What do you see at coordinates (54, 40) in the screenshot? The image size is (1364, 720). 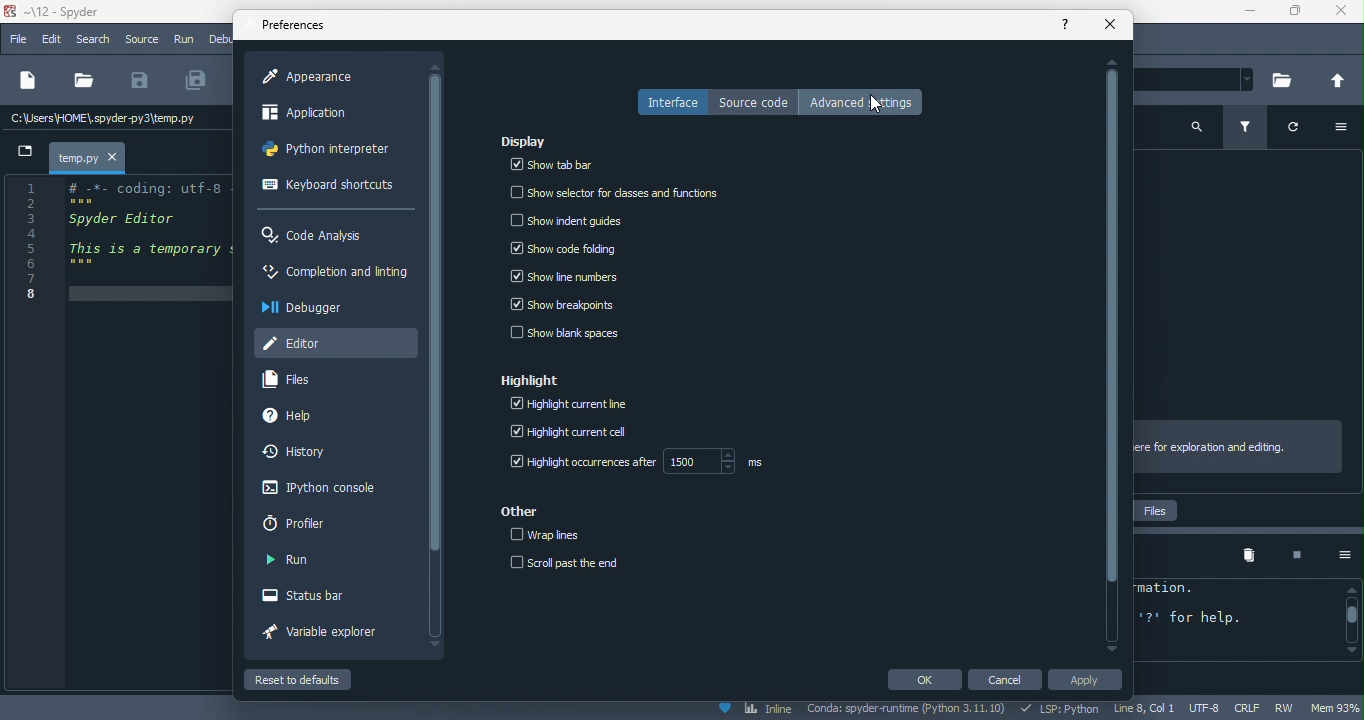 I see `edit` at bounding box center [54, 40].